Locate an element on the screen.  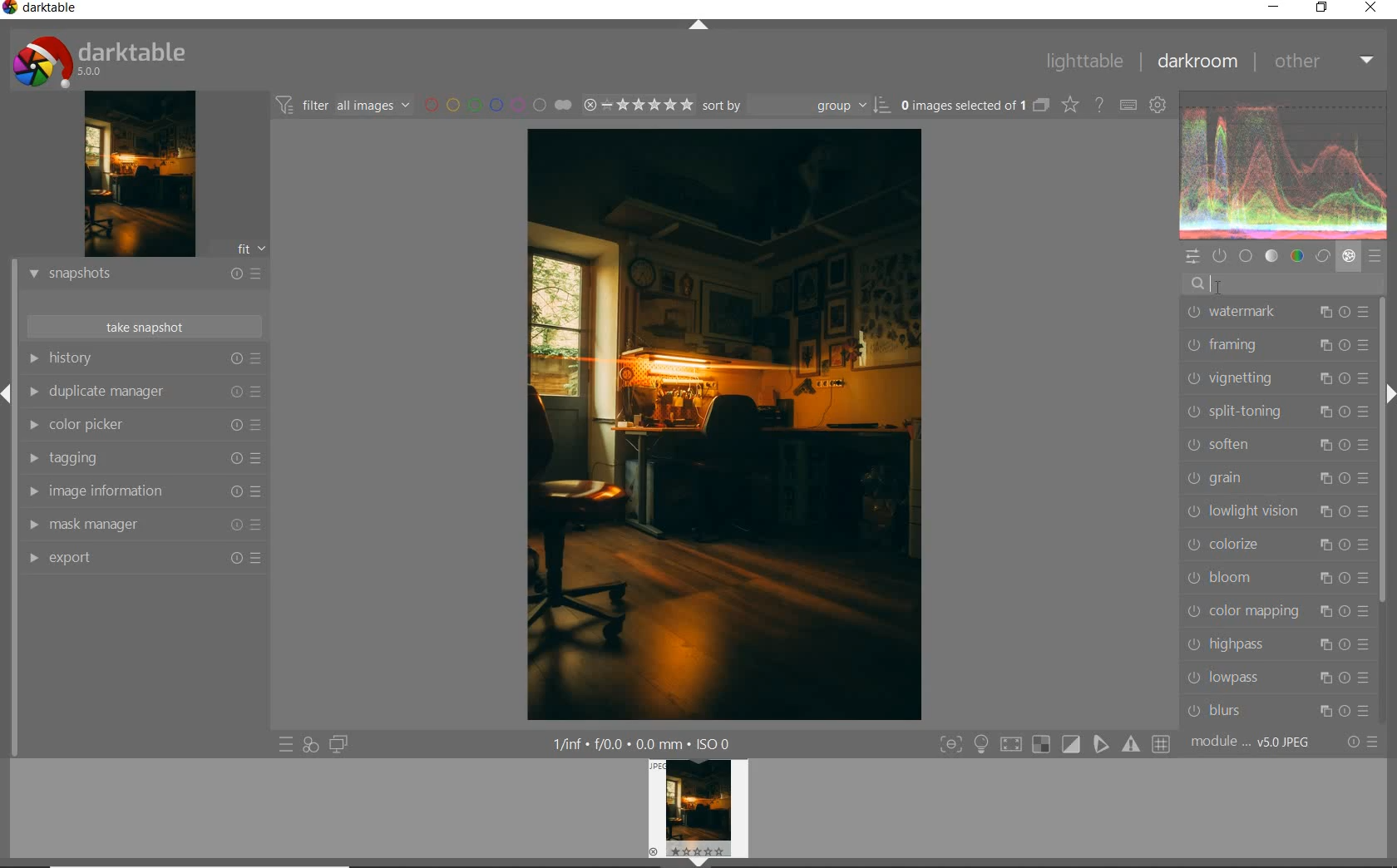
selected image is located at coordinates (725, 426).